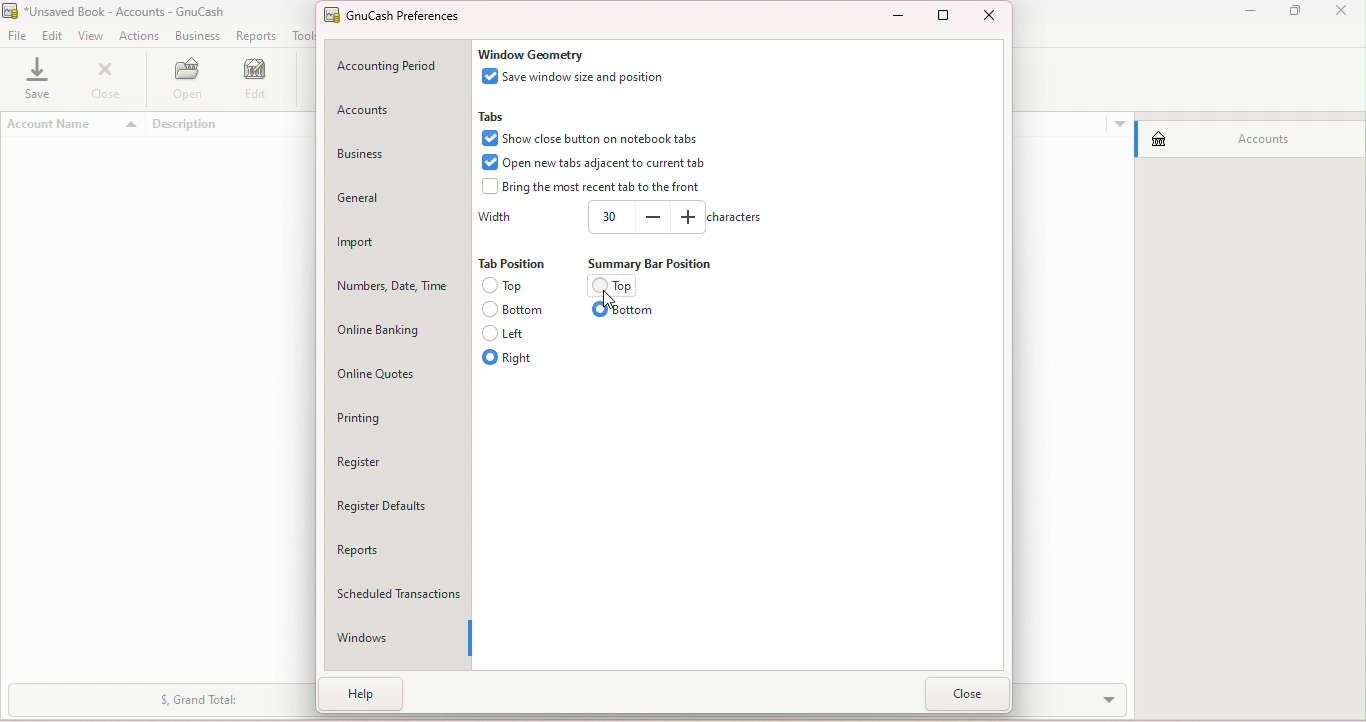 This screenshot has height=722, width=1366. I want to click on Close, so click(991, 15).